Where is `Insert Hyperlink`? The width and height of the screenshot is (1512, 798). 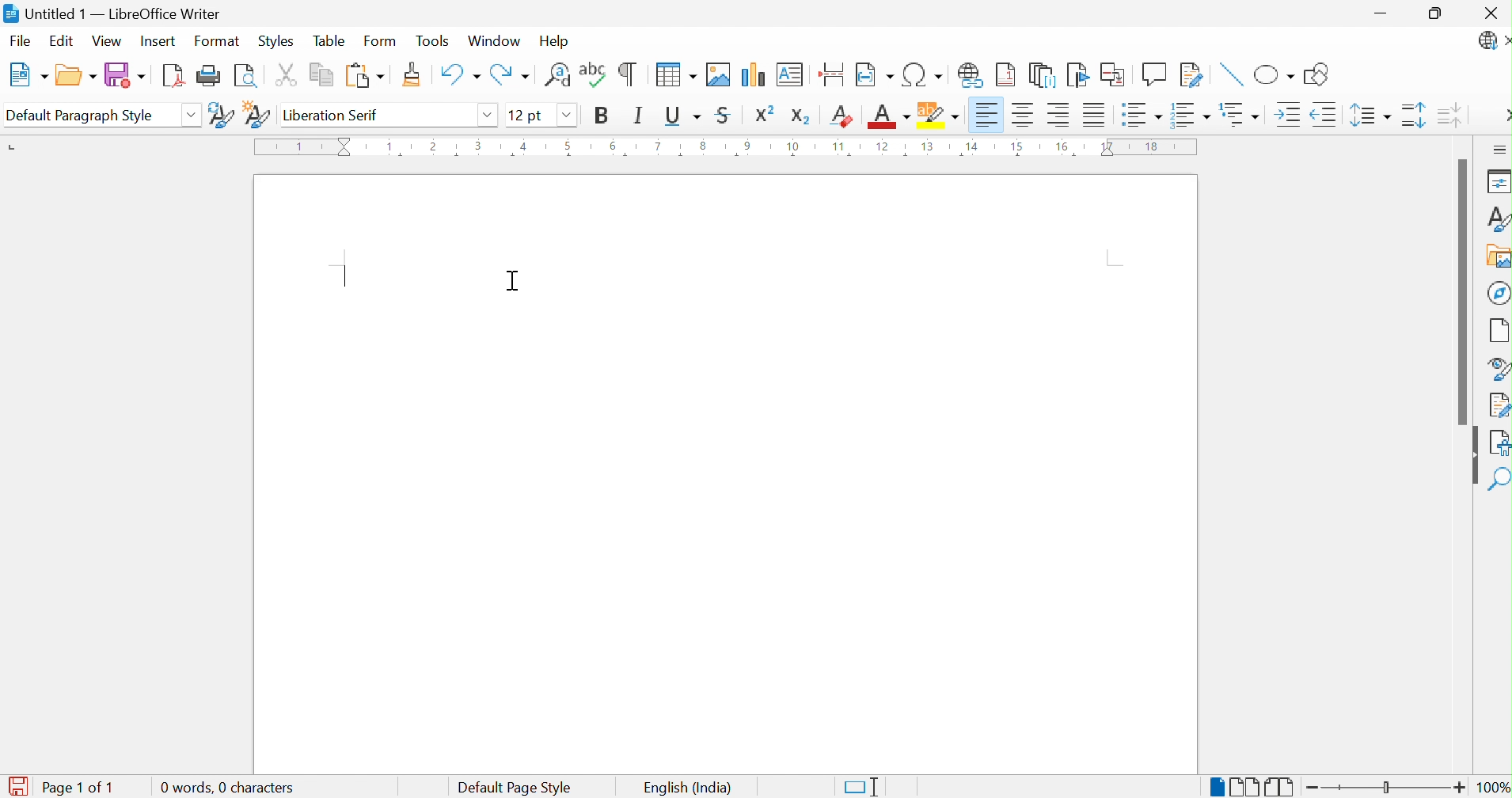
Insert Hyperlink is located at coordinates (971, 76).